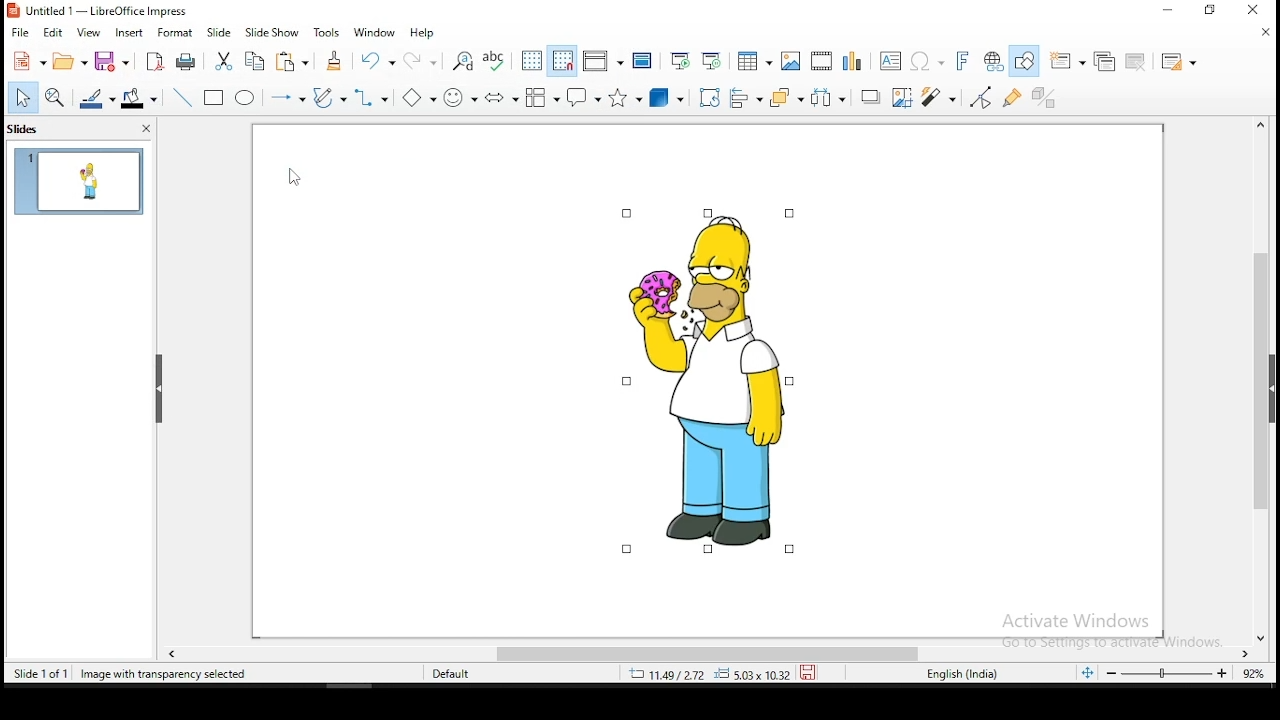 Image resolution: width=1280 pixels, height=720 pixels. What do you see at coordinates (1261, 124) in the screenshot?
I see `close` at bounding box center [1261, 124].